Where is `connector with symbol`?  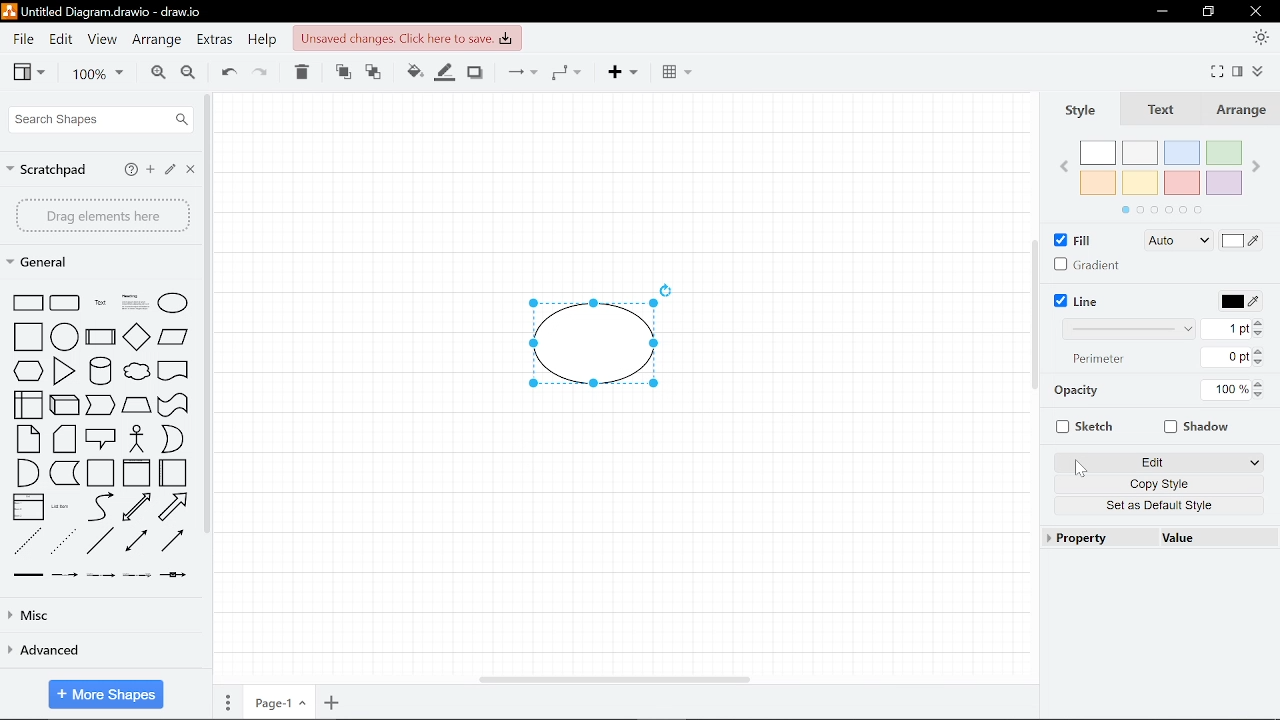 connector with symbol is located at coordinates (171, 575).